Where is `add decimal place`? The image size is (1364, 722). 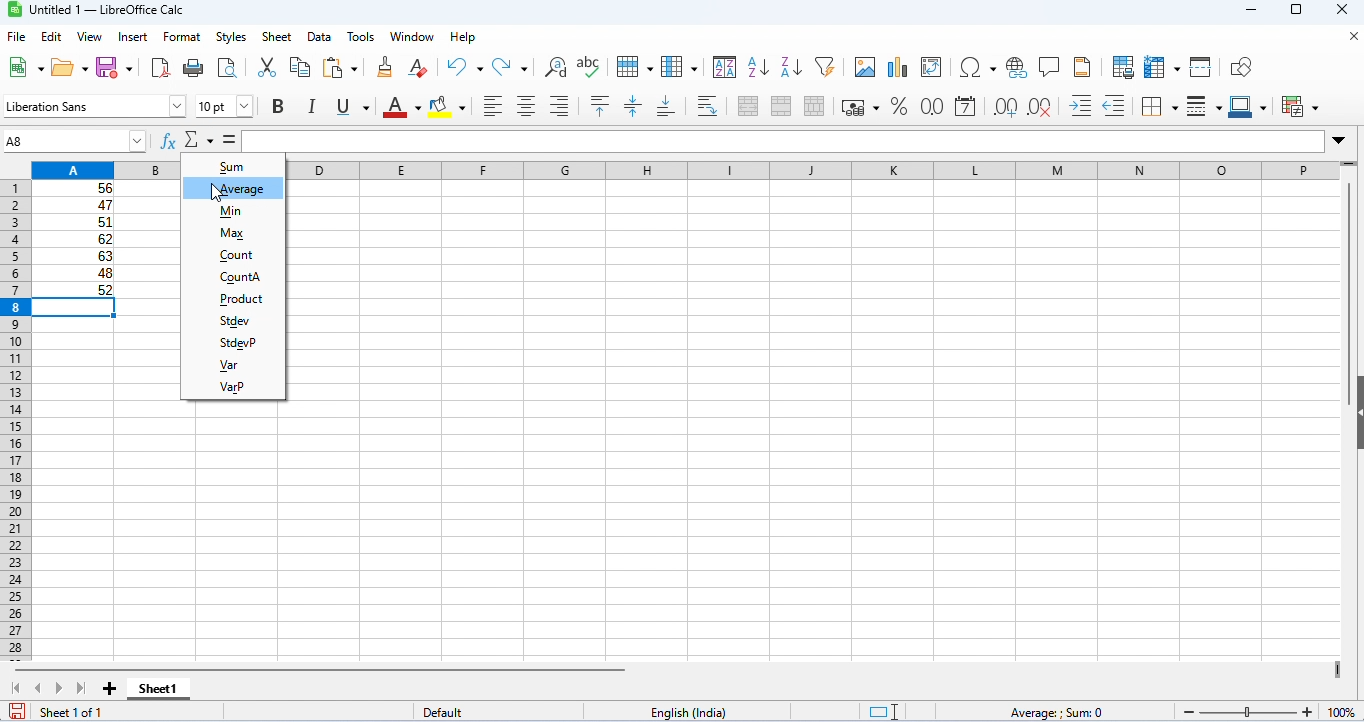 add decimal place is located at coordinates (1004, 107).